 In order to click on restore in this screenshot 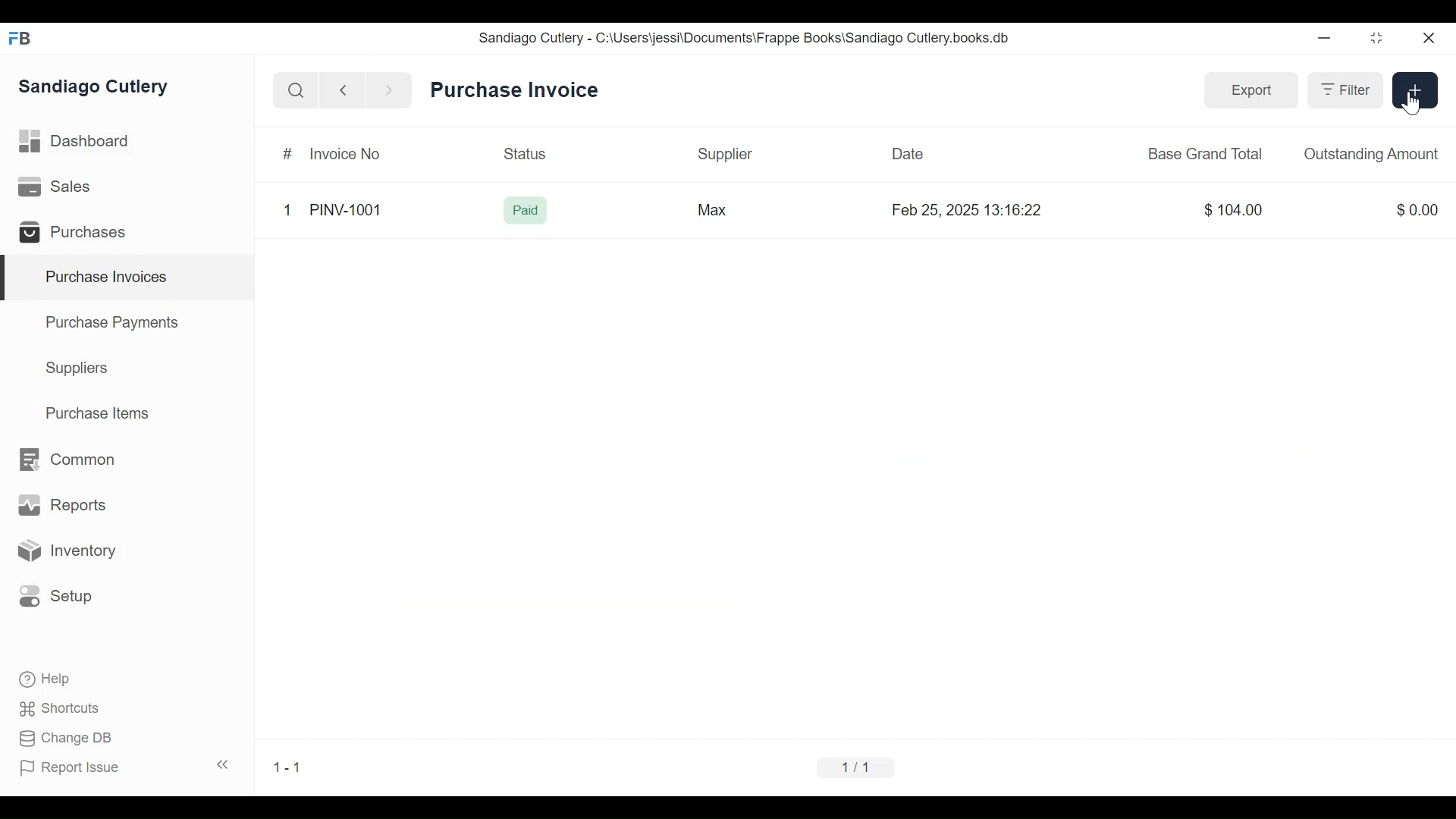, I will do `click(1375, 39)`.